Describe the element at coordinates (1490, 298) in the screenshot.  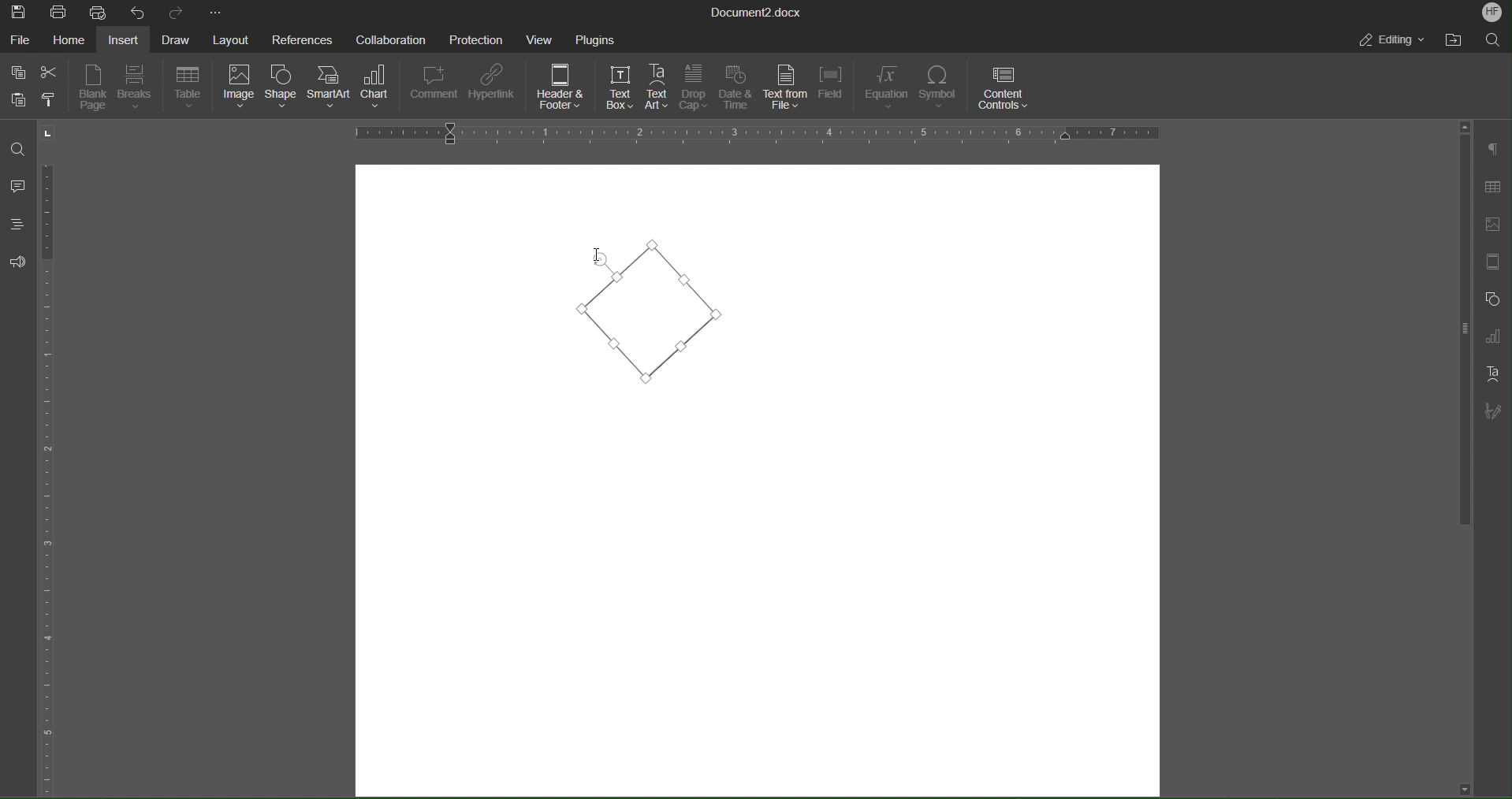
I see `Shape Settings` at that location.